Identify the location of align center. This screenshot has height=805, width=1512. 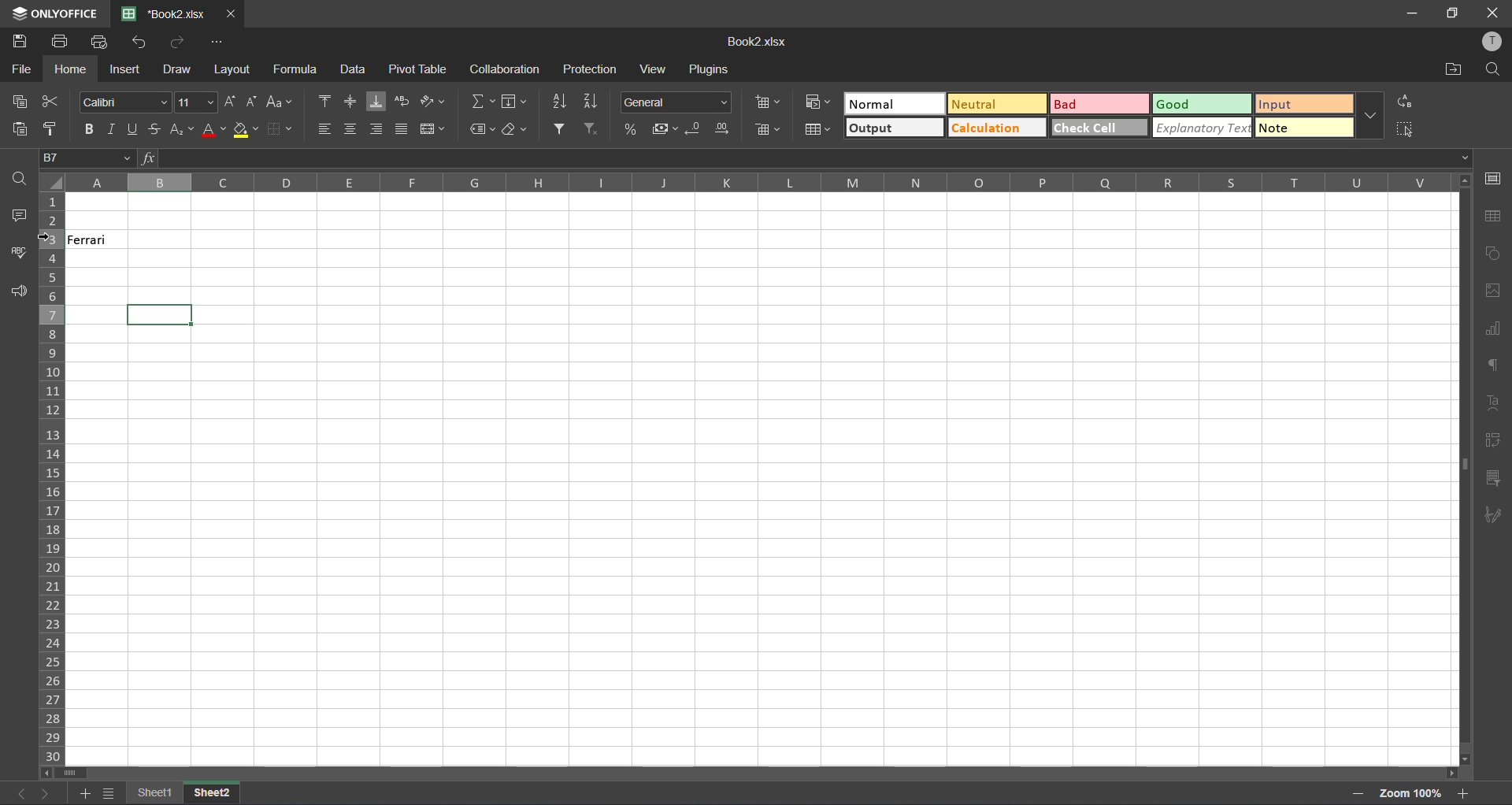
(348, 128).